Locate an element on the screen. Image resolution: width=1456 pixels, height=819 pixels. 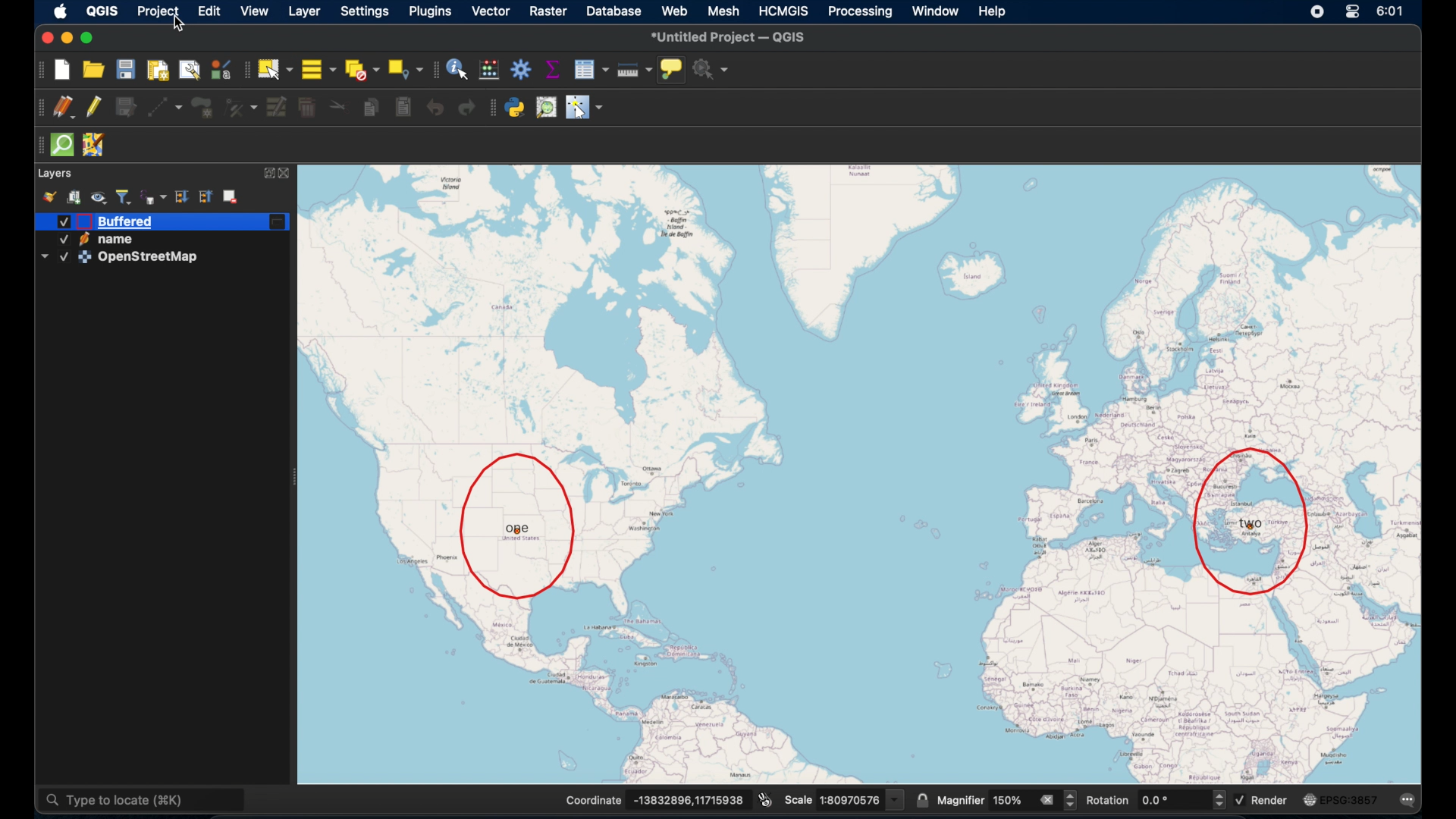
edit is located at coordinates (211, 11).